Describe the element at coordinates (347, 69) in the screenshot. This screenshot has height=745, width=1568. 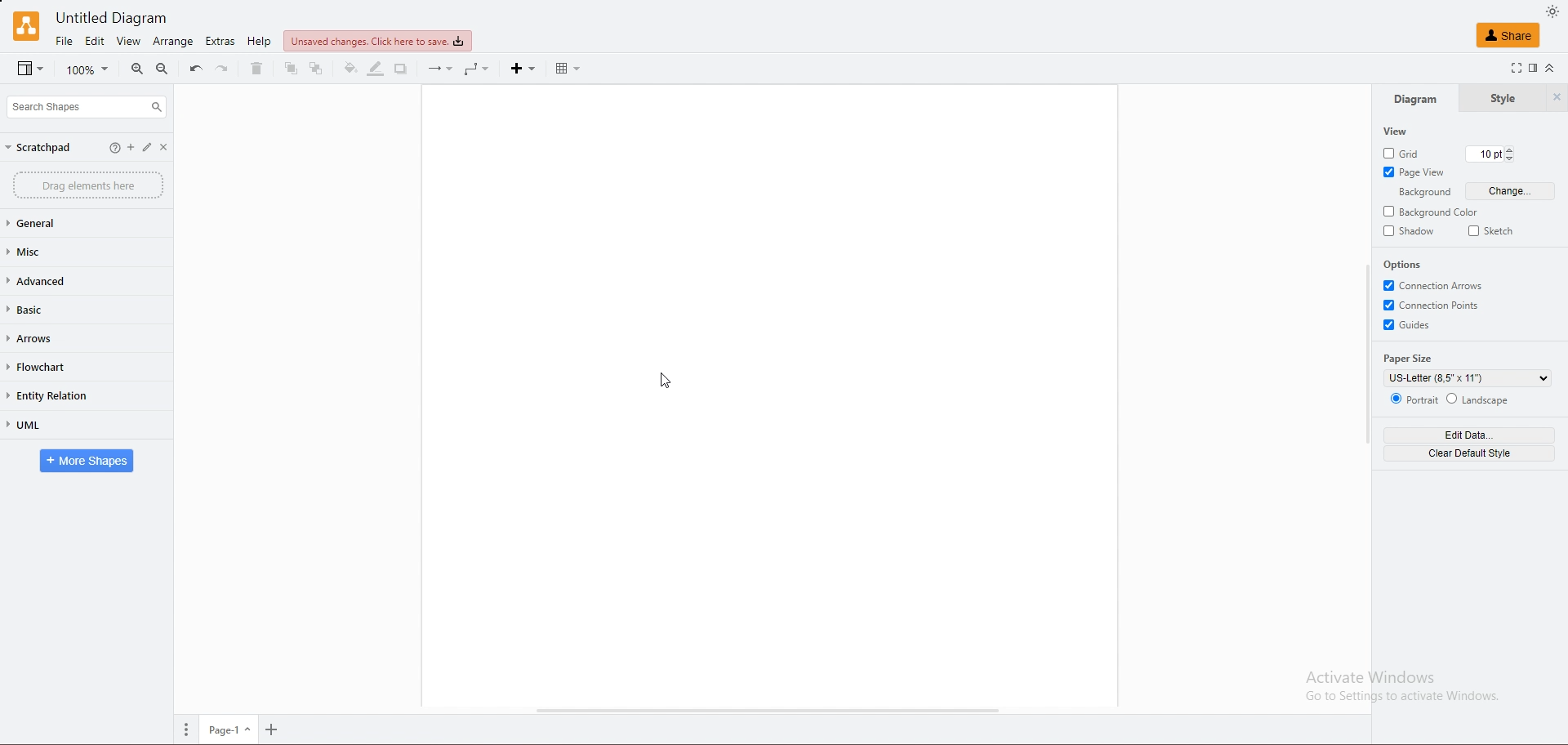
I see `fill color` at that location.